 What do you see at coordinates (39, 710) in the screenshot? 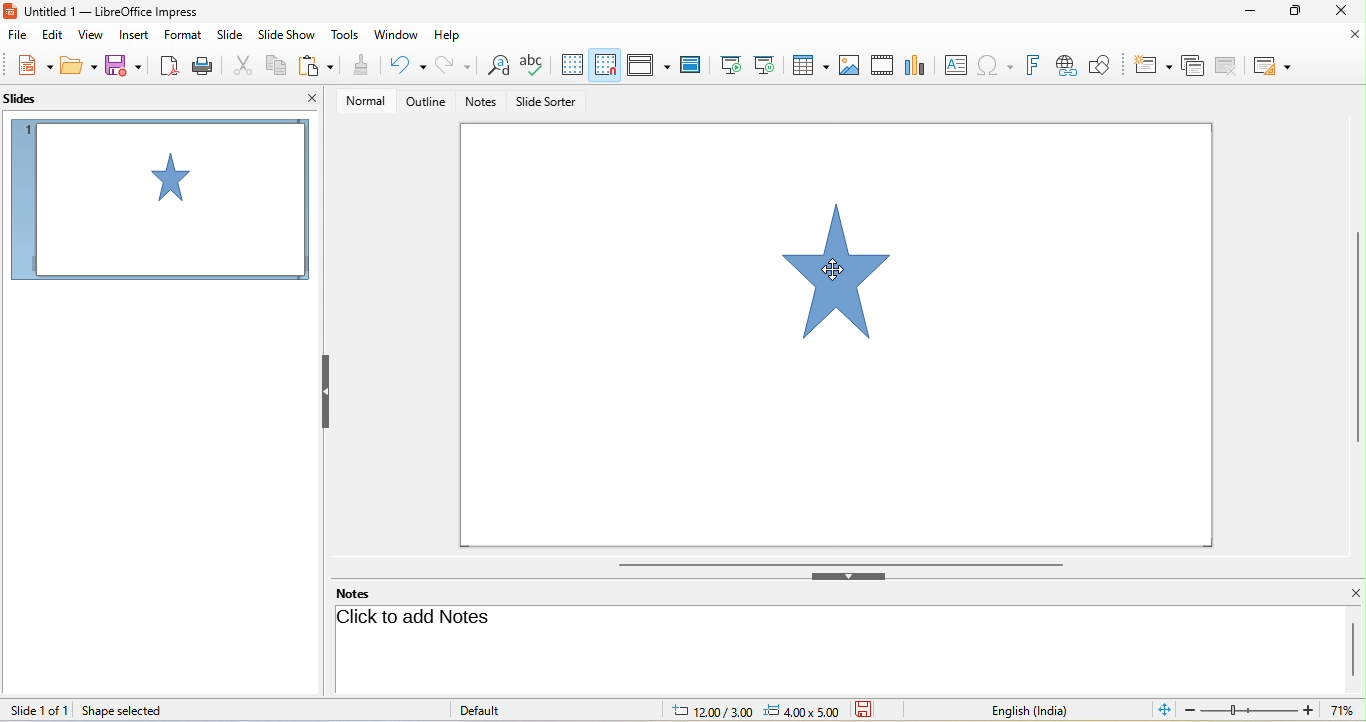
I see `slide 1 of 1` at bounding box center [39, 710].